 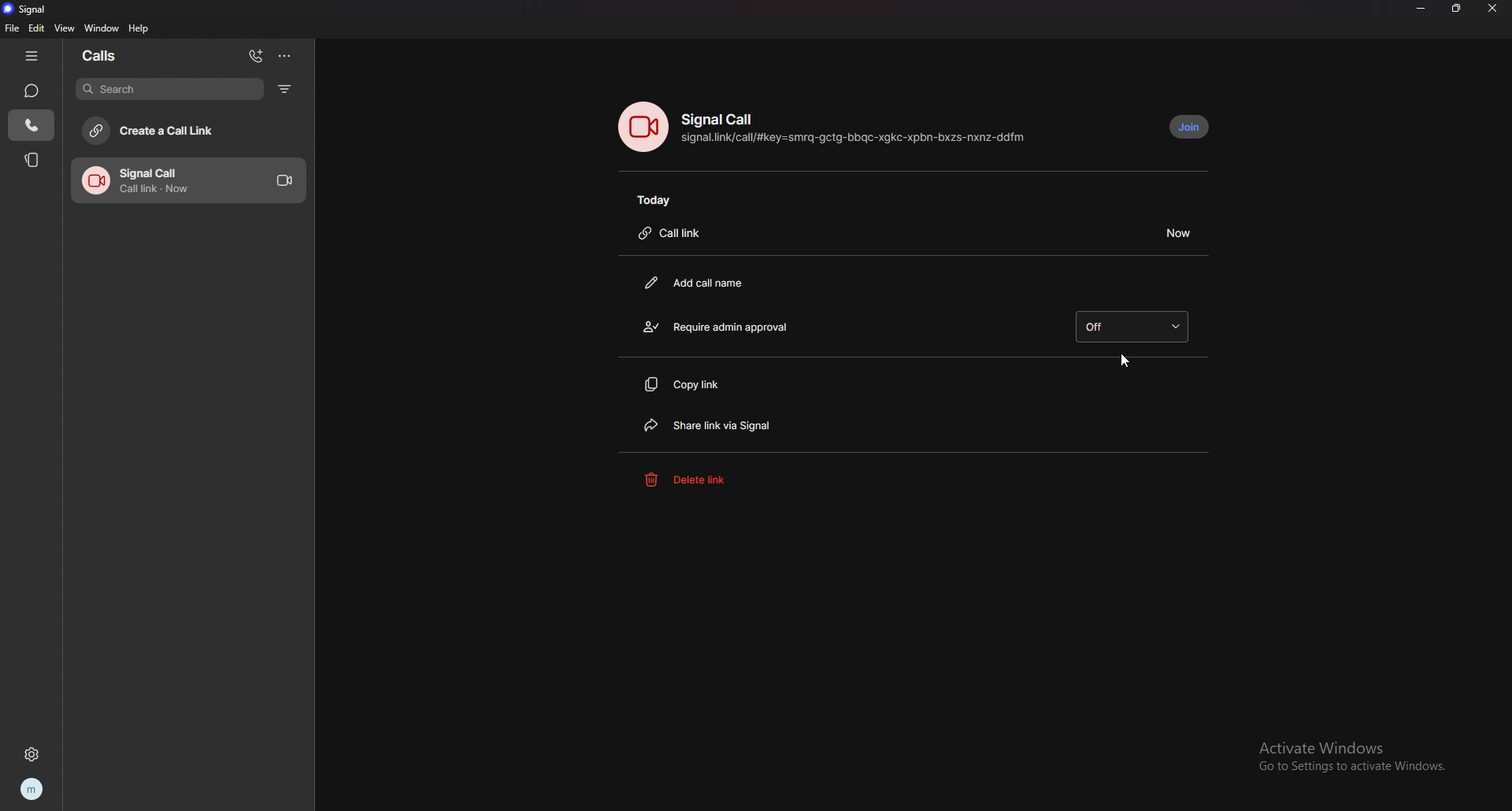 What do you see at coordinates (719, 119) in the screenshot?
I see `signal call` at bounding box center [719, 119].